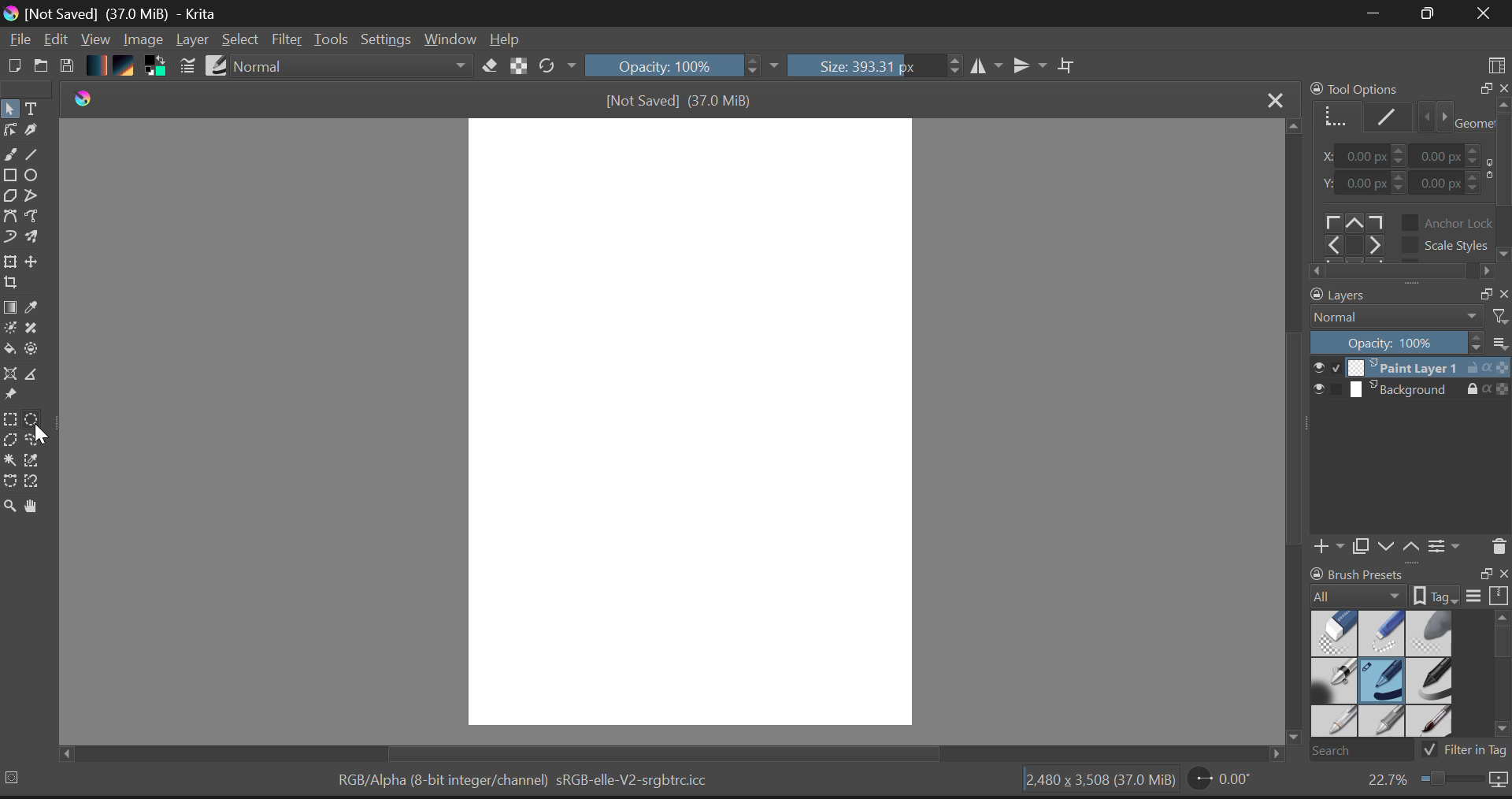 The image size is (1512, 799). Describe the element at coordinates (19, 42) in the screenshot. I see `File` at that location.